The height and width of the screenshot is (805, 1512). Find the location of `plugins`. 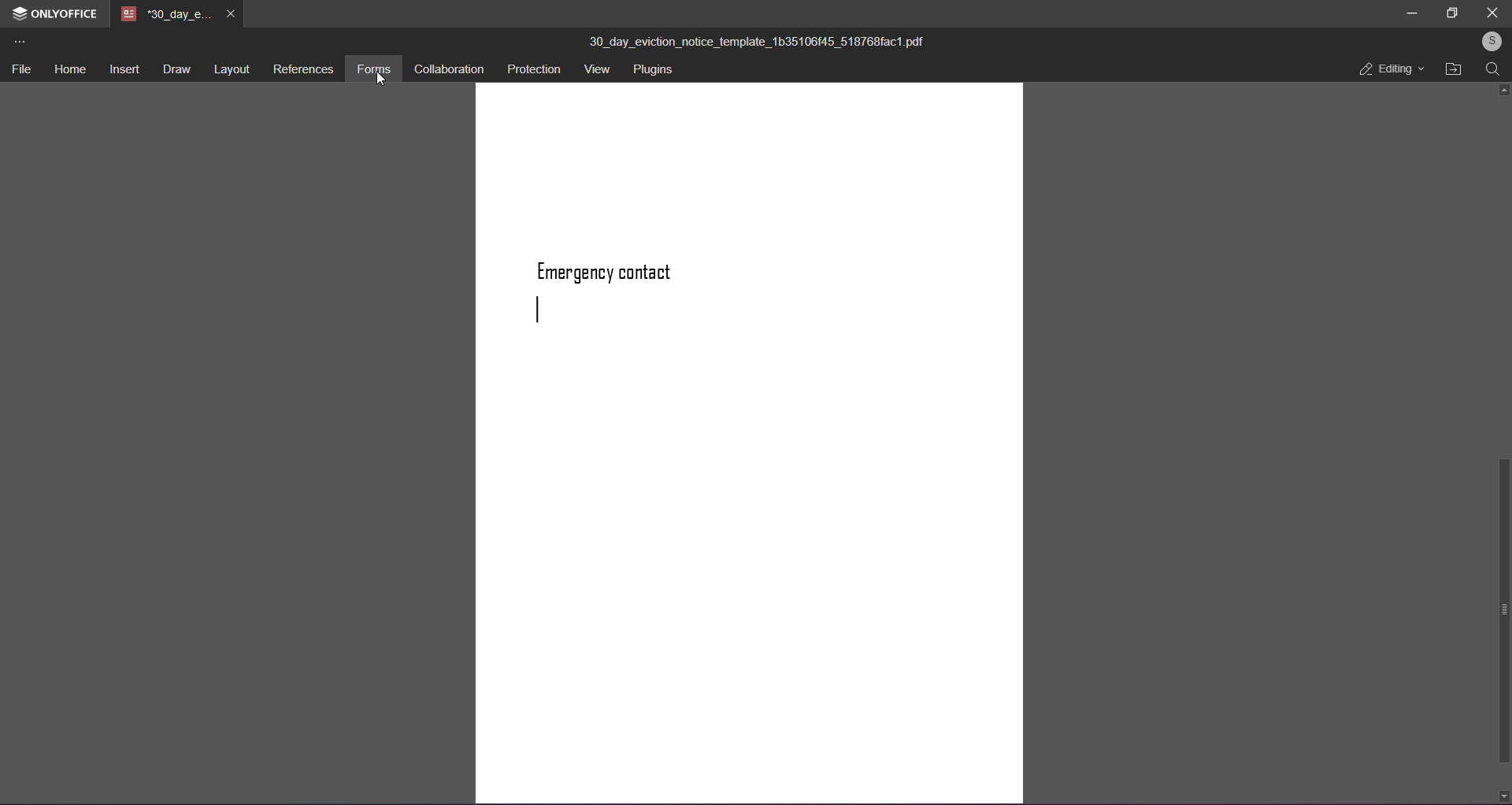

plugins is located at coordinates (657, 71).